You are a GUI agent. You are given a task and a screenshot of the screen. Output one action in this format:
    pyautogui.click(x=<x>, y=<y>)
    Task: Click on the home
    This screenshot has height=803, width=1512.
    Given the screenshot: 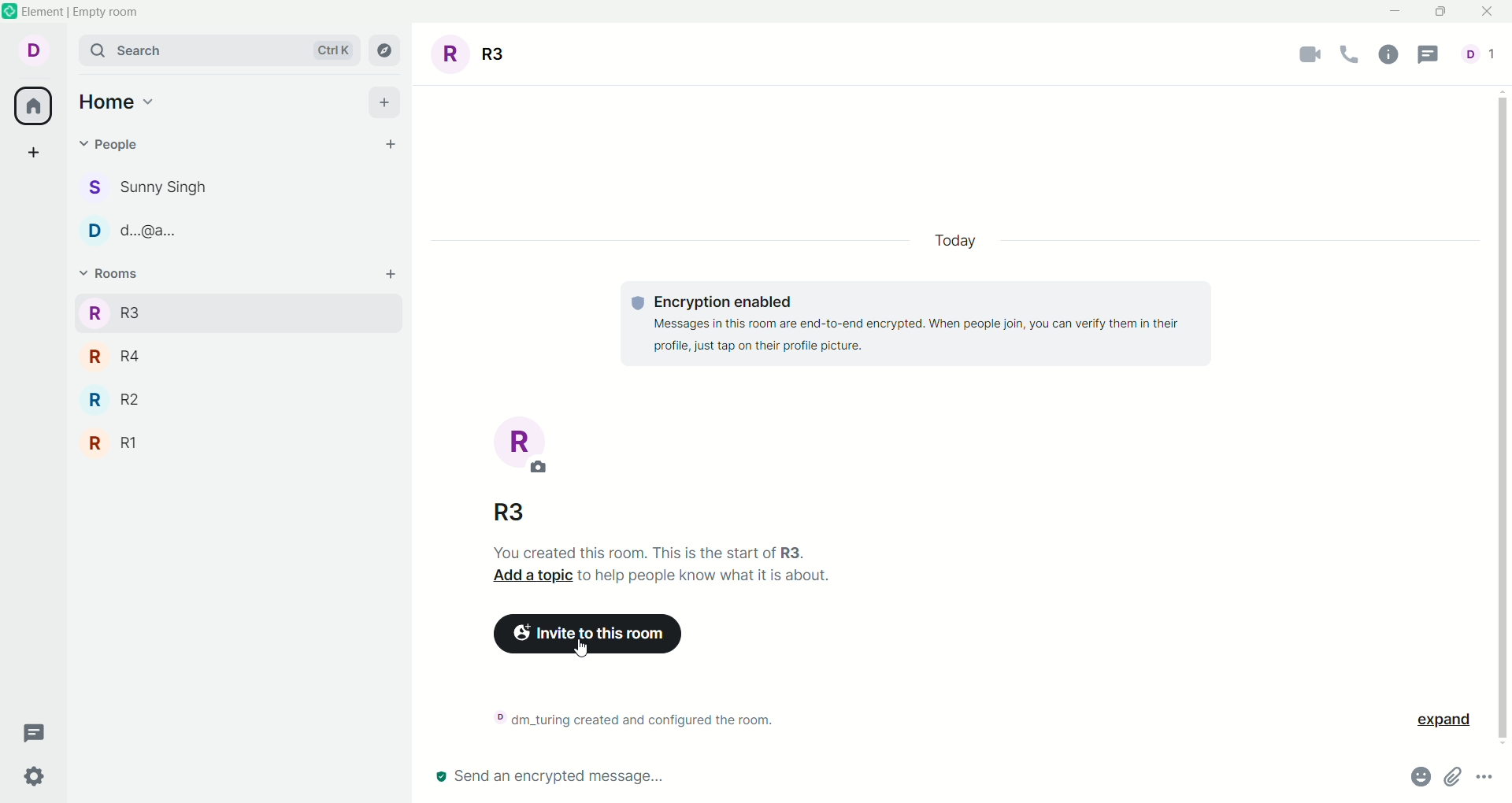 What is the action you would take?
    pyautogui.click(x=120, y=102)
    